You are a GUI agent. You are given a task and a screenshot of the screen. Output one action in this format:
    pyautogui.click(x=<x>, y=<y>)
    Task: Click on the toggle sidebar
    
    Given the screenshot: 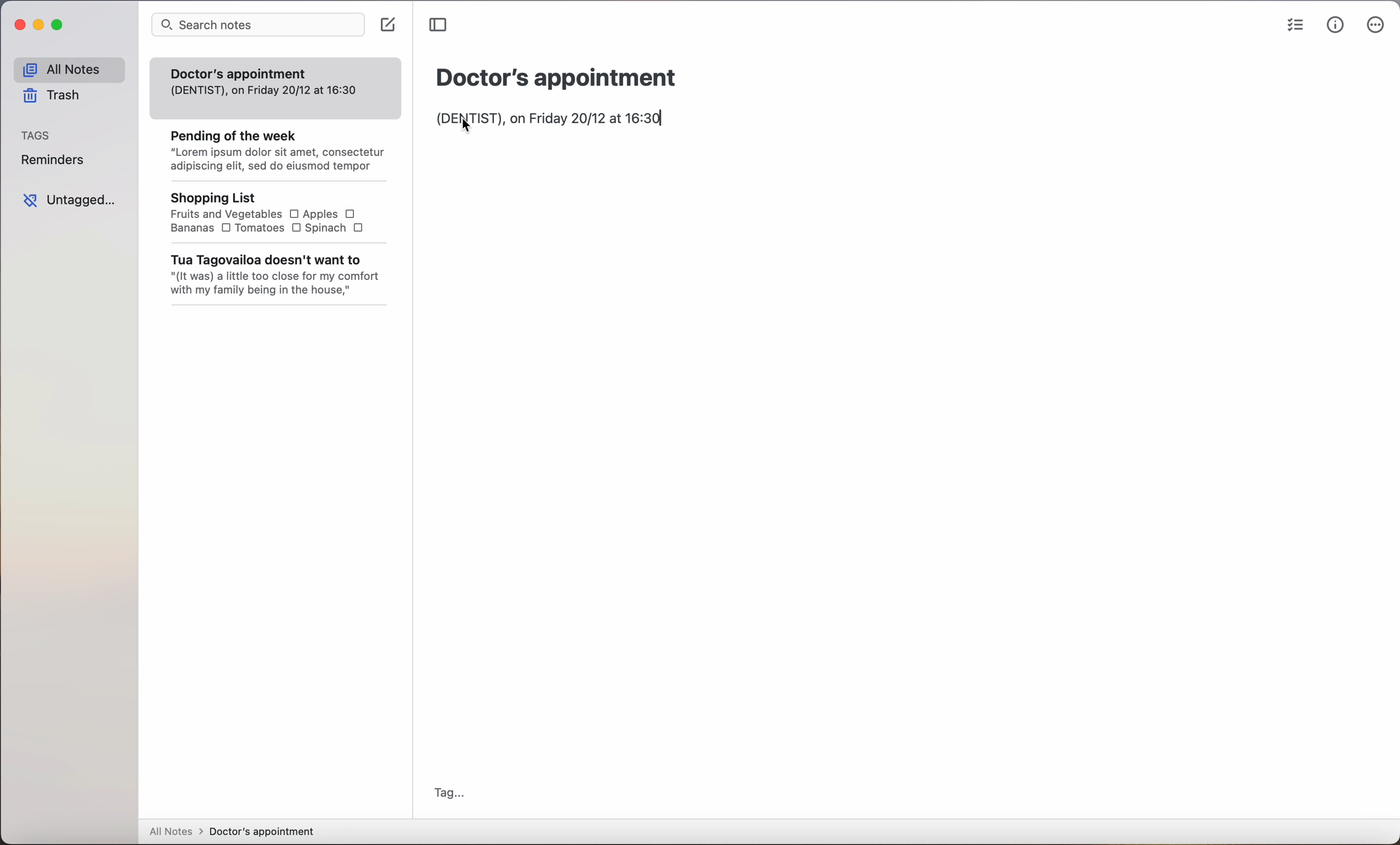 What is the action you would take?
    pyautogui.click(x=441, y=25)
    